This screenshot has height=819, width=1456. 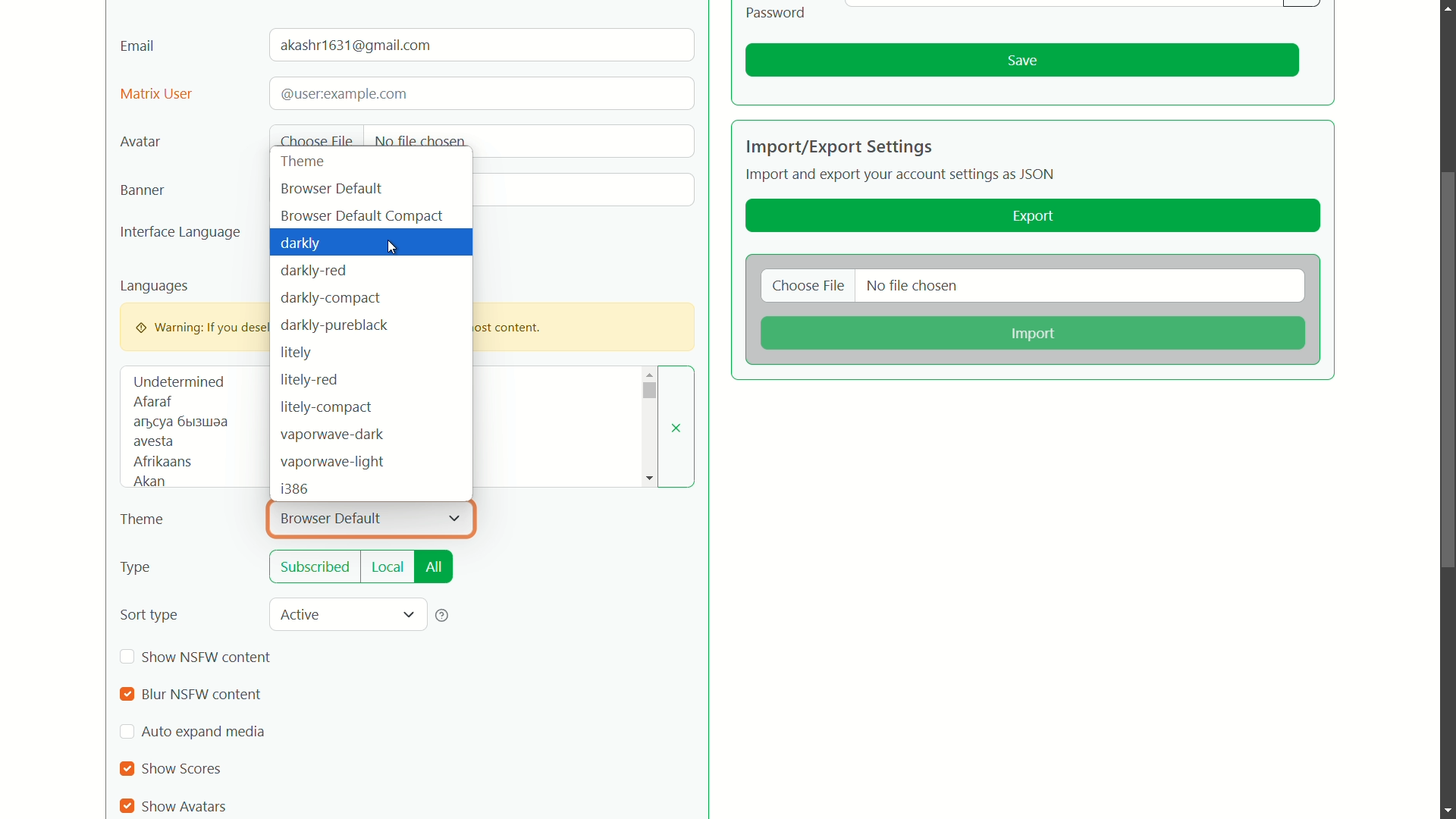 I want to click on interface language, so click(x=180, y=234).